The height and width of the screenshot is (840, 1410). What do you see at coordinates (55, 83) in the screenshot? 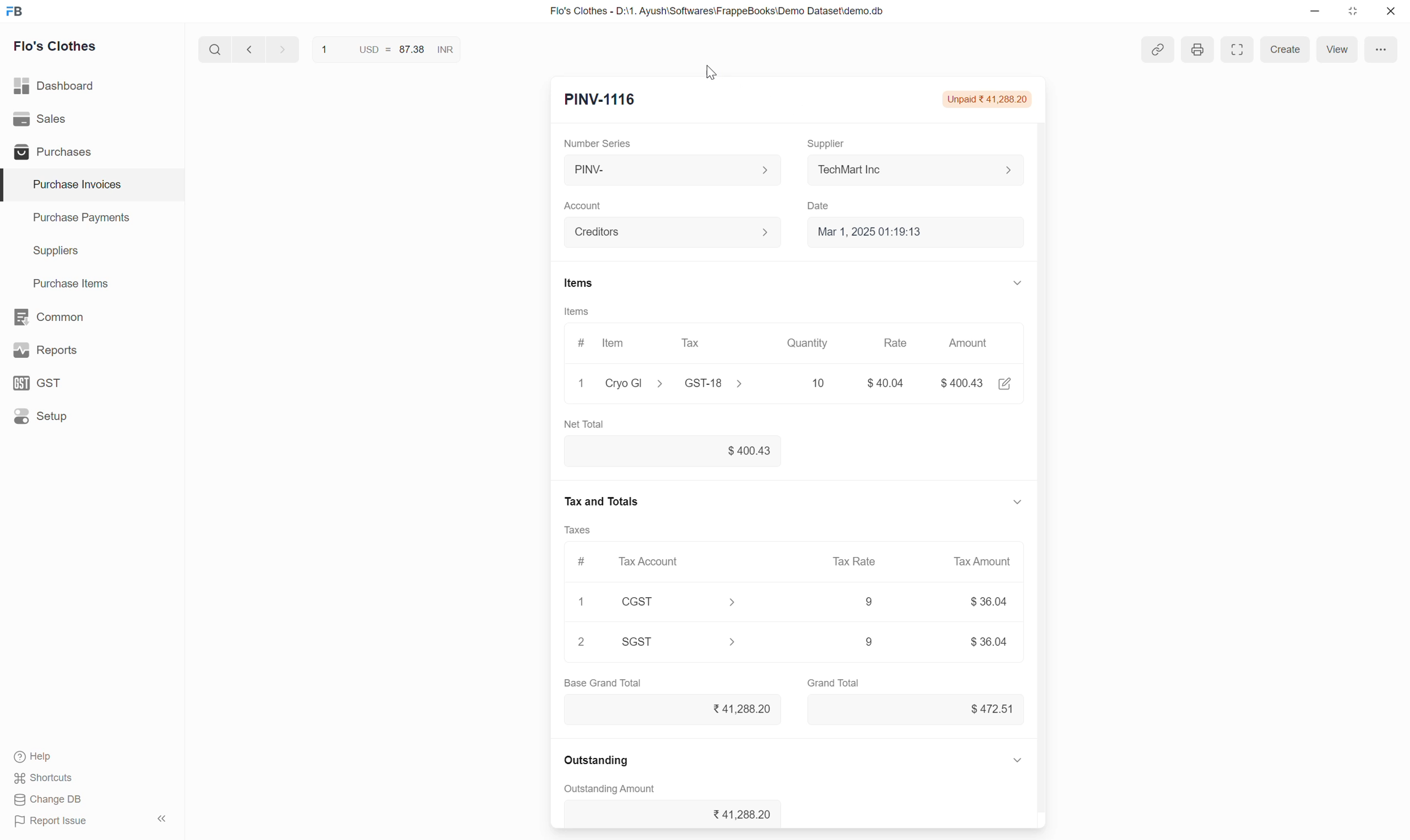
I see `Dashboard` at bounding box center [55, 83].